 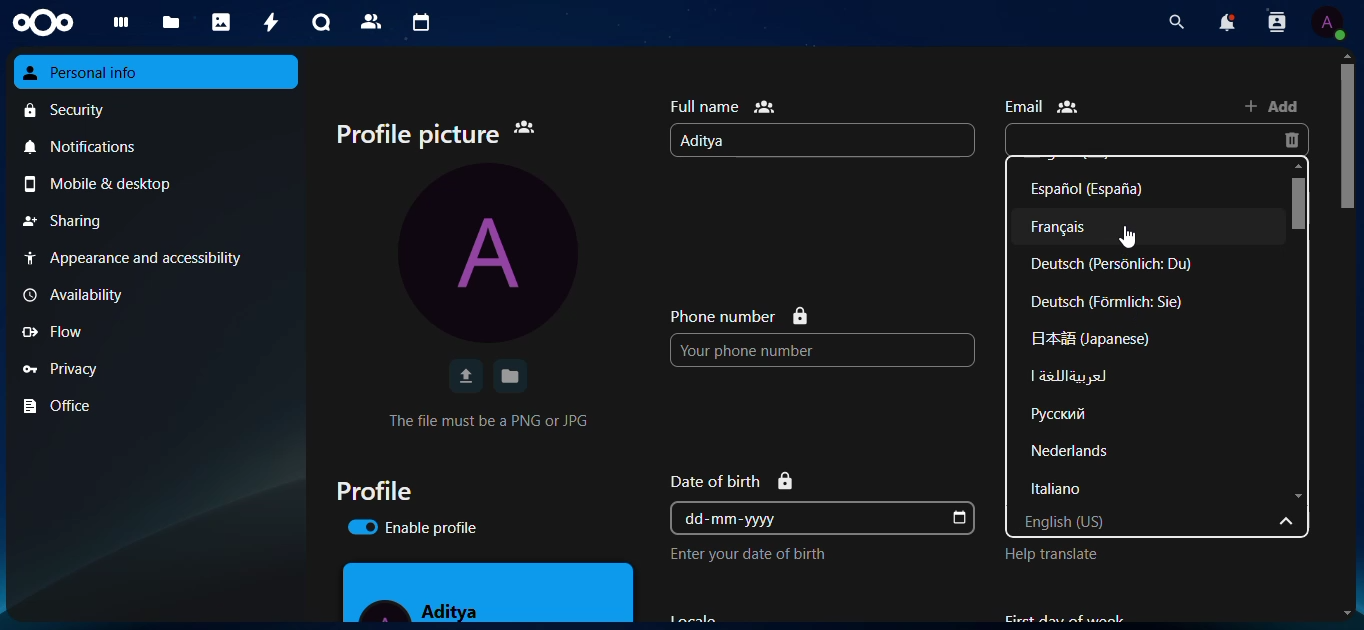 What do you see at coordinates (68, 367) in the screenshot?
I see `privacy` at bounding box center [68, 367].